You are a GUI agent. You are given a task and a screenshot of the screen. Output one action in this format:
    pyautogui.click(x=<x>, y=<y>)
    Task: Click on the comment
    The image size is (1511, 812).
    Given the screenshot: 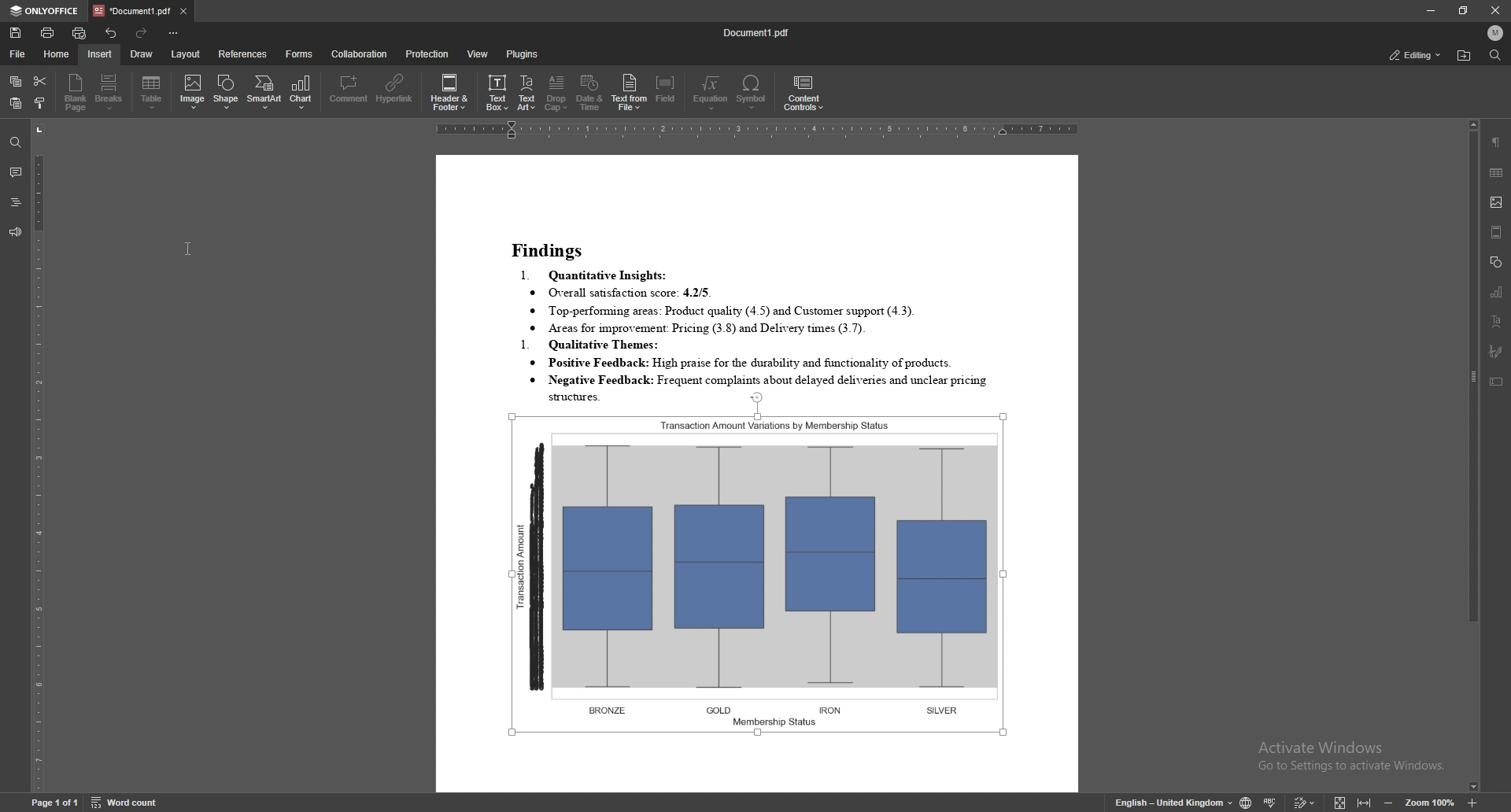 What is the action you would take?
    pyautogui.click(x=349, y=90)
    